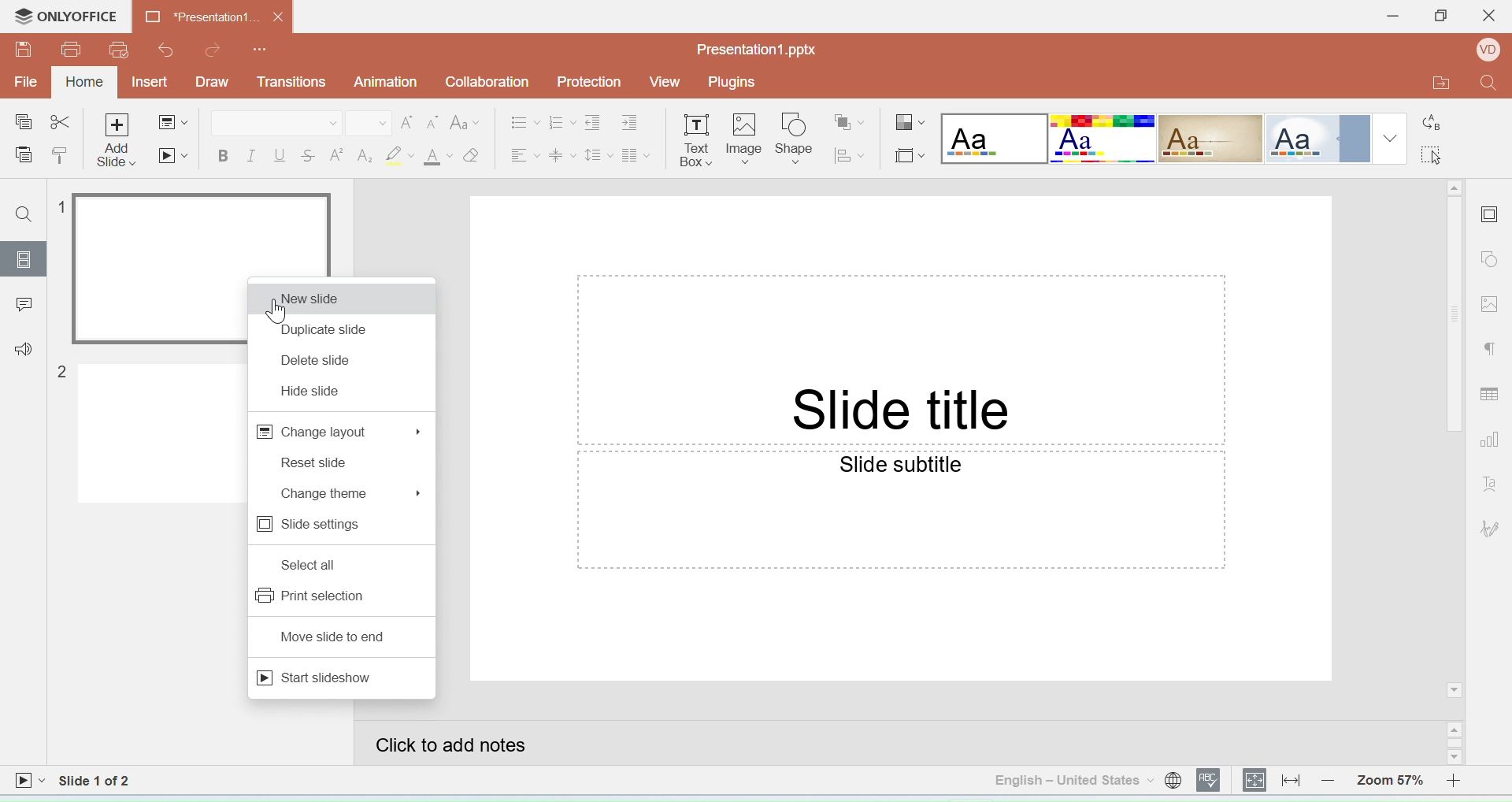 The width and height of the screenshot is (1512, 802). Describe the element at coordinates (335, 433) in the screenshot. I see `change layout` at that location.